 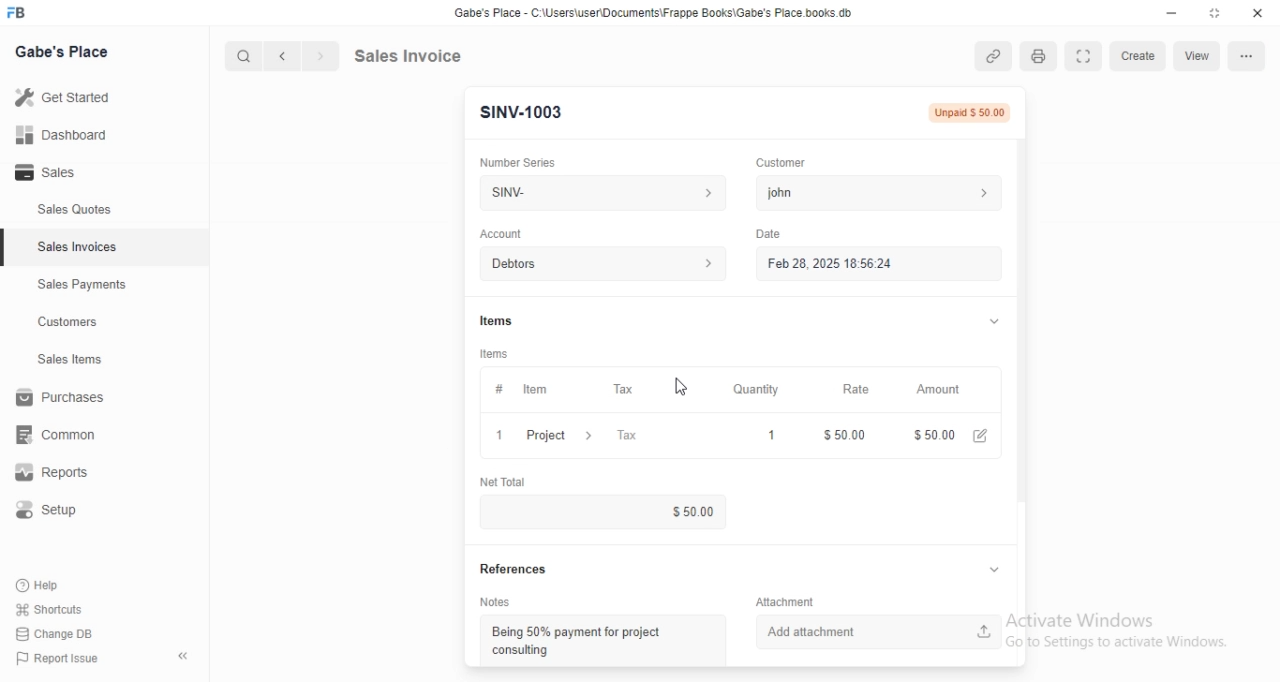 What do you see at coordinates (64, 210) in the screenshot?
I see `Sales Quotes` at bounding box center [64, 210].